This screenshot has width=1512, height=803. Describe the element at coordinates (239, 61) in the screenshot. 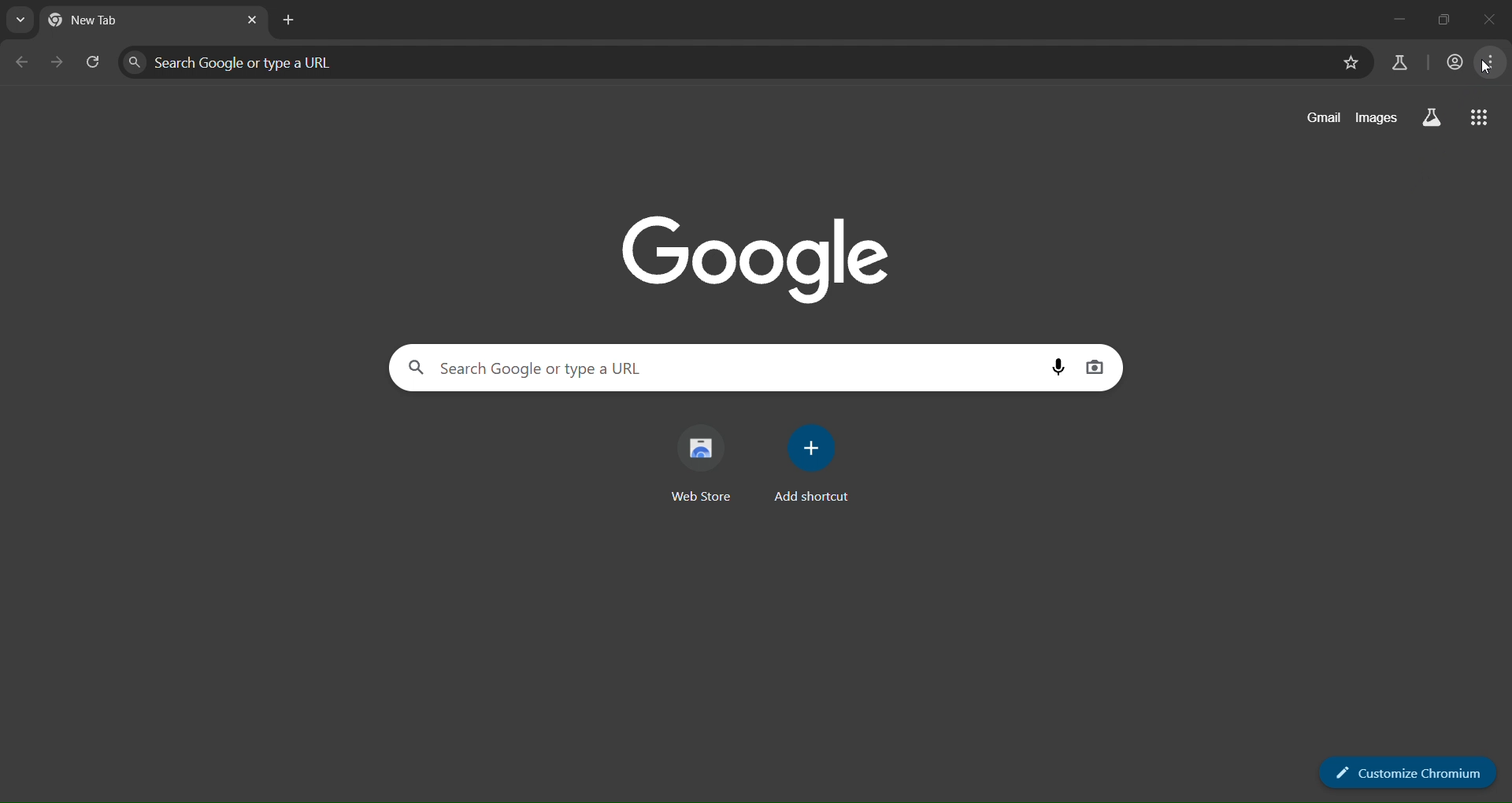

I see `search panel` at that location.